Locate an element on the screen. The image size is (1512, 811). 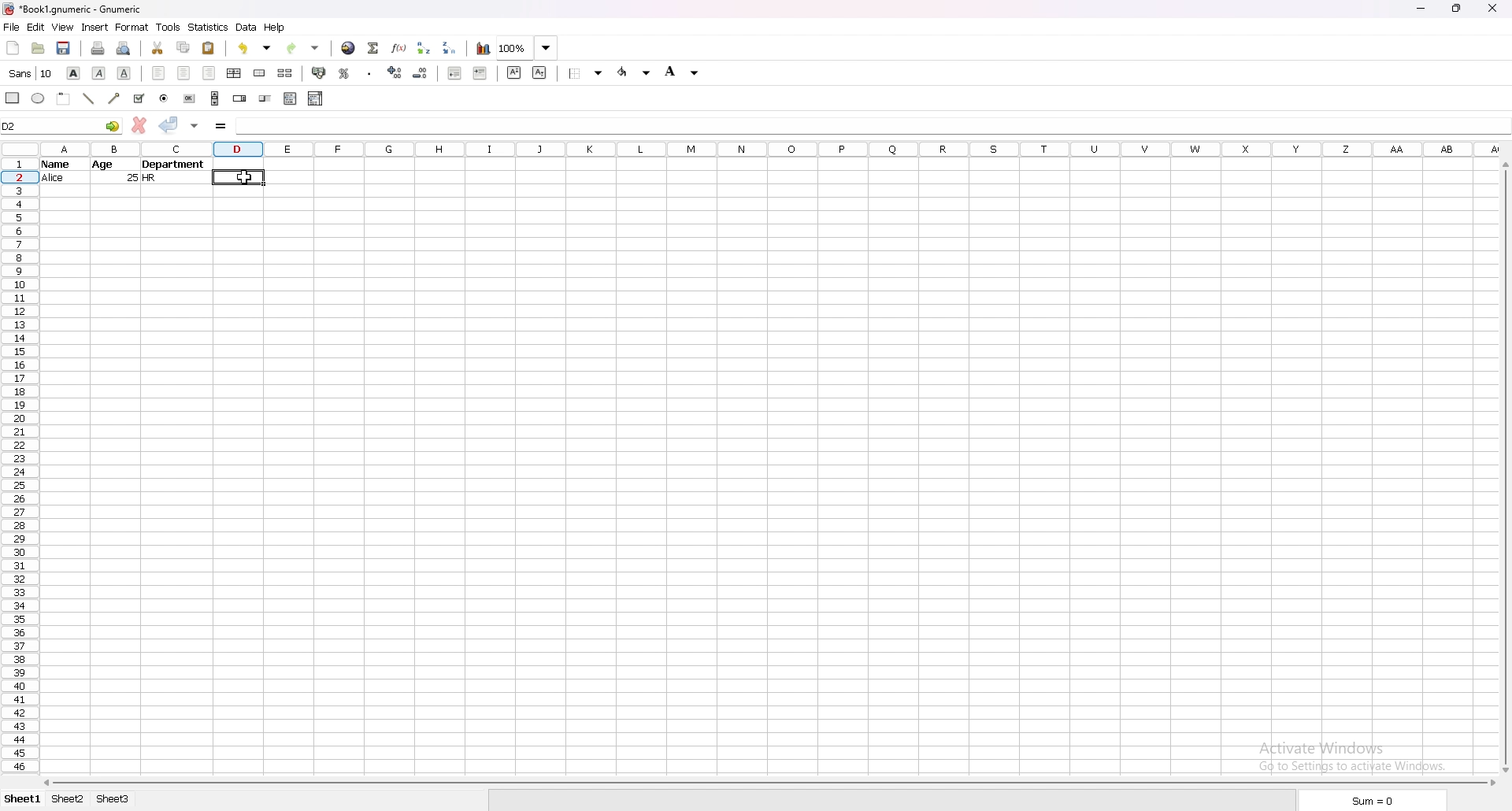
combo box is located at coordinates (316, 98).